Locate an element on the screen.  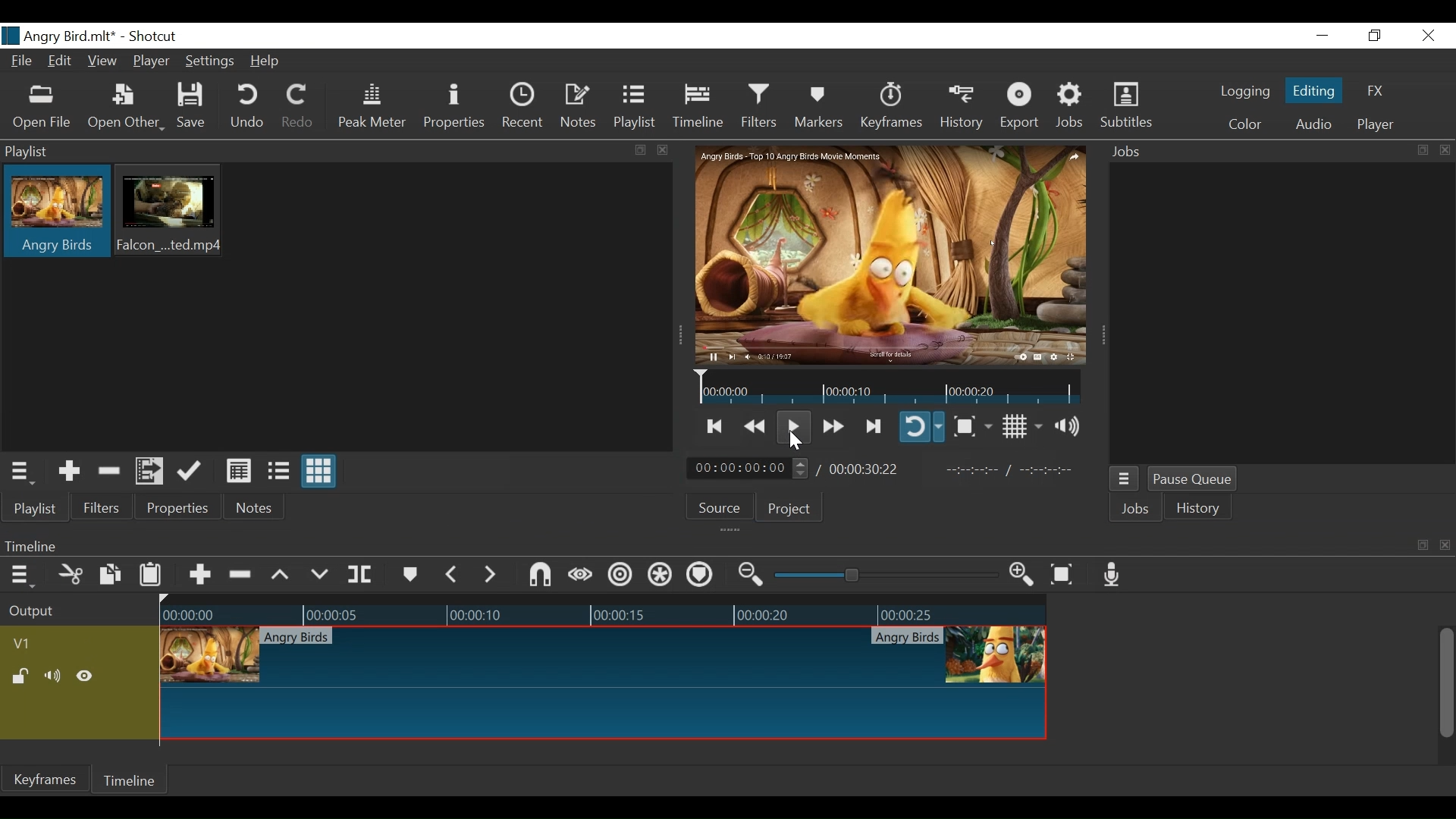
 is located at coordinates (729, 544).